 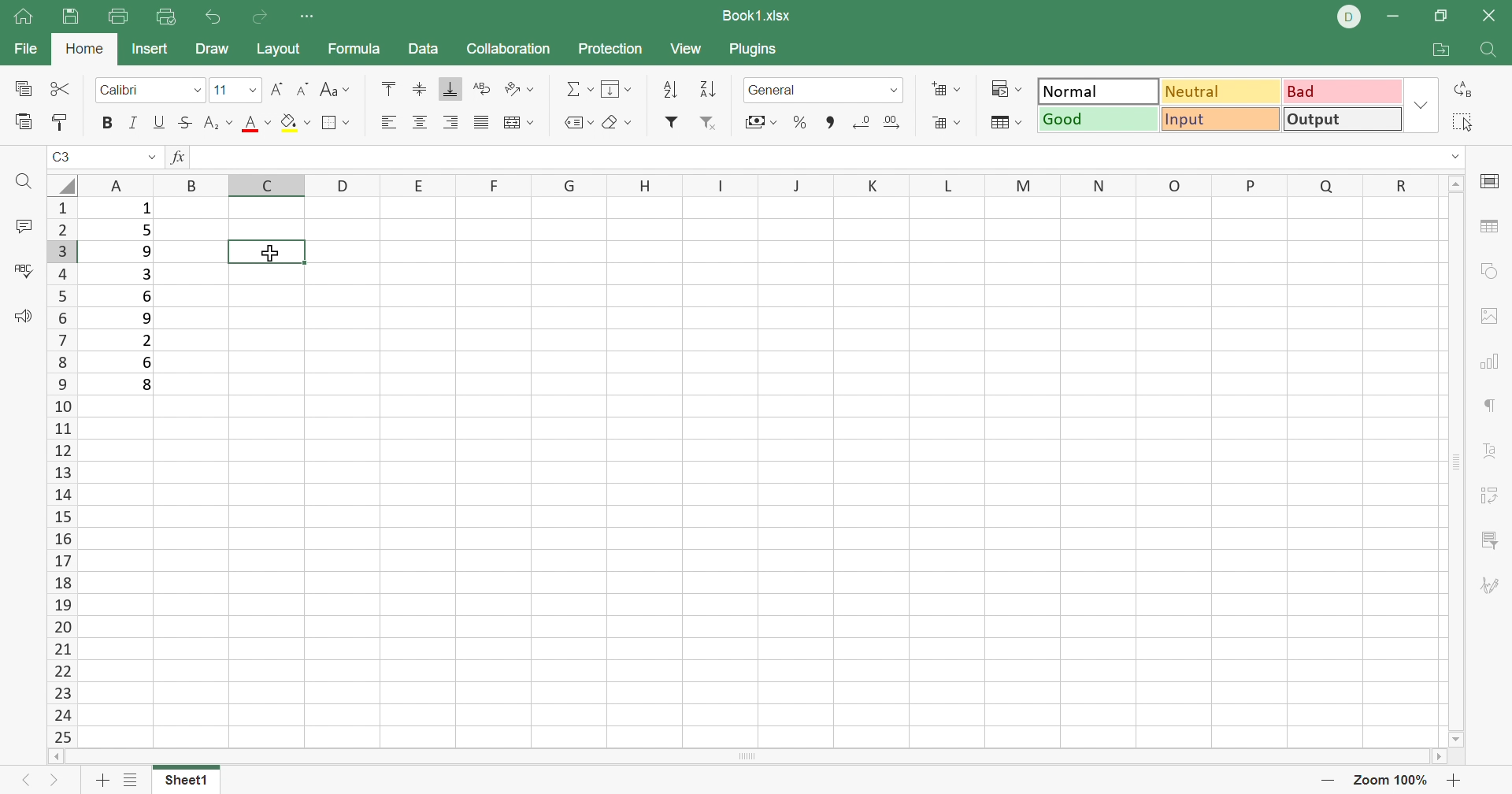 What do you see at coordinates (707, 88) in the screenshot?
I see `Sort descending` at bounding box center [707, 88].